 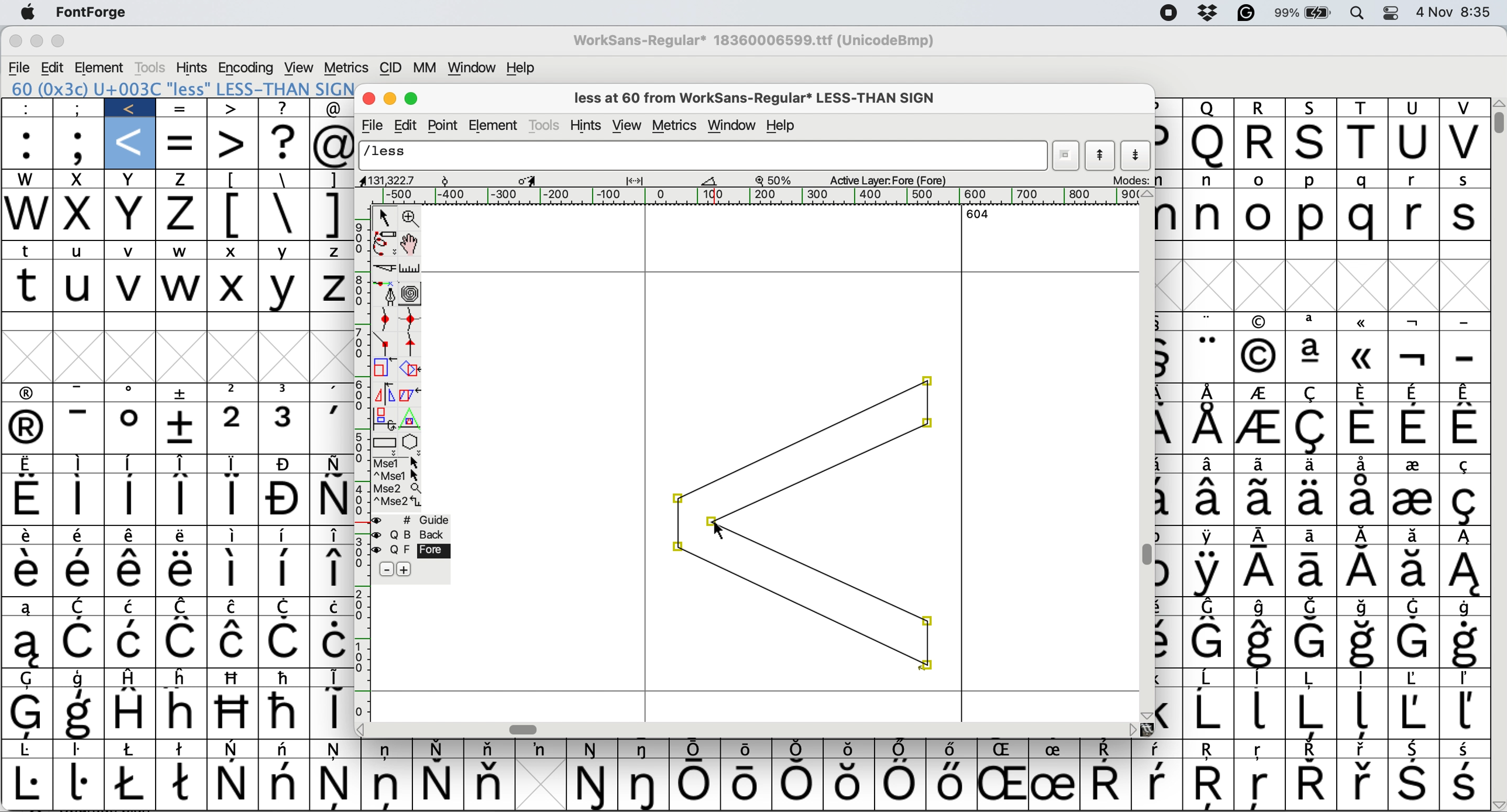 I want to click on Symbol, so click(x=1464, y=749).